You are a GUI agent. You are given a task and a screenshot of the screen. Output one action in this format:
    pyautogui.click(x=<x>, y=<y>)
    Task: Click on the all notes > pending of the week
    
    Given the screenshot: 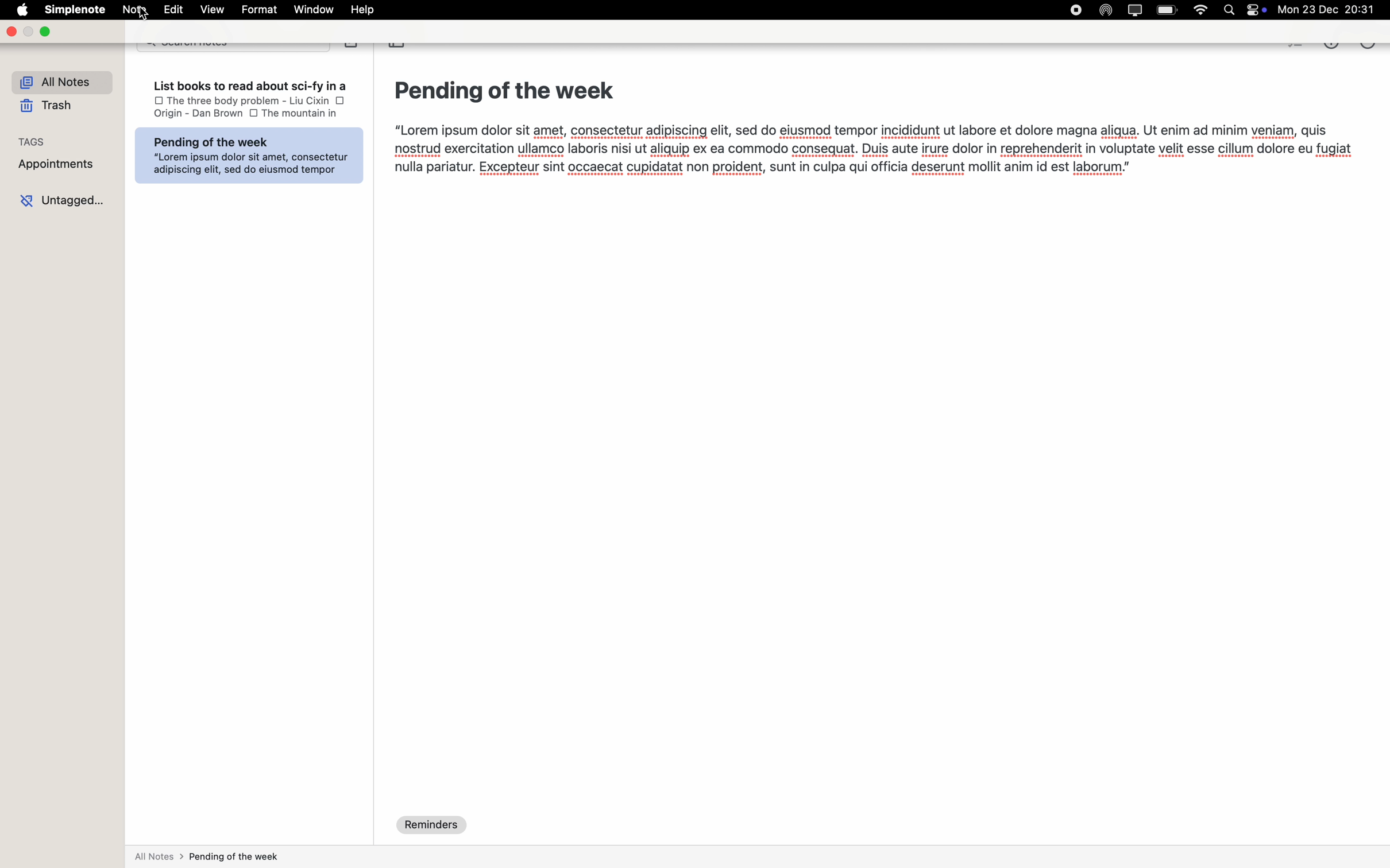 What is the action you would take?
    pyautogui.click(x=210, y=858)
    